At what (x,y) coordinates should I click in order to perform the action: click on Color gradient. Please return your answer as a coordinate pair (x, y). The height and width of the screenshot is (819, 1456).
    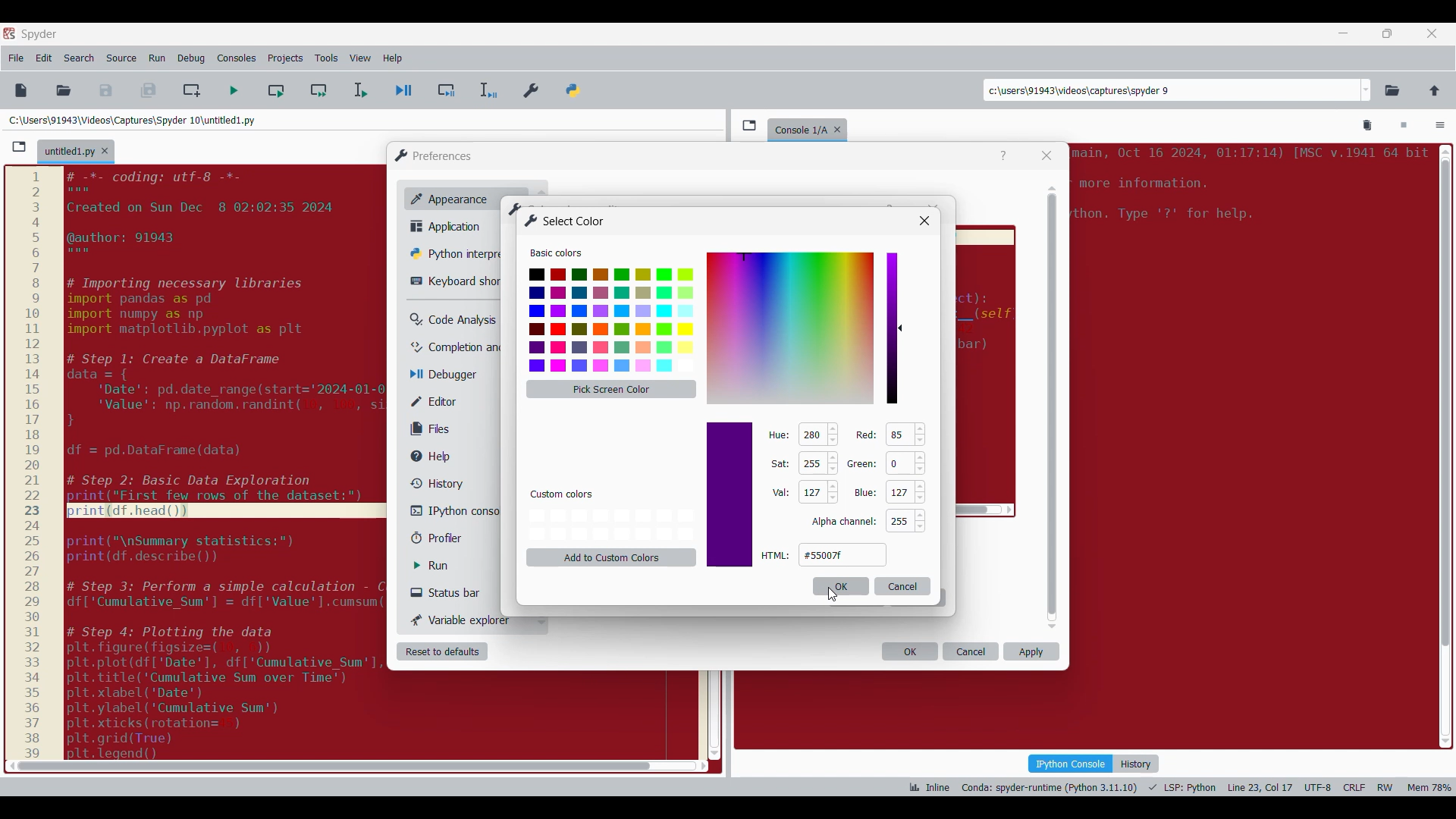
    Looking at the image, I should click on (791, 328).